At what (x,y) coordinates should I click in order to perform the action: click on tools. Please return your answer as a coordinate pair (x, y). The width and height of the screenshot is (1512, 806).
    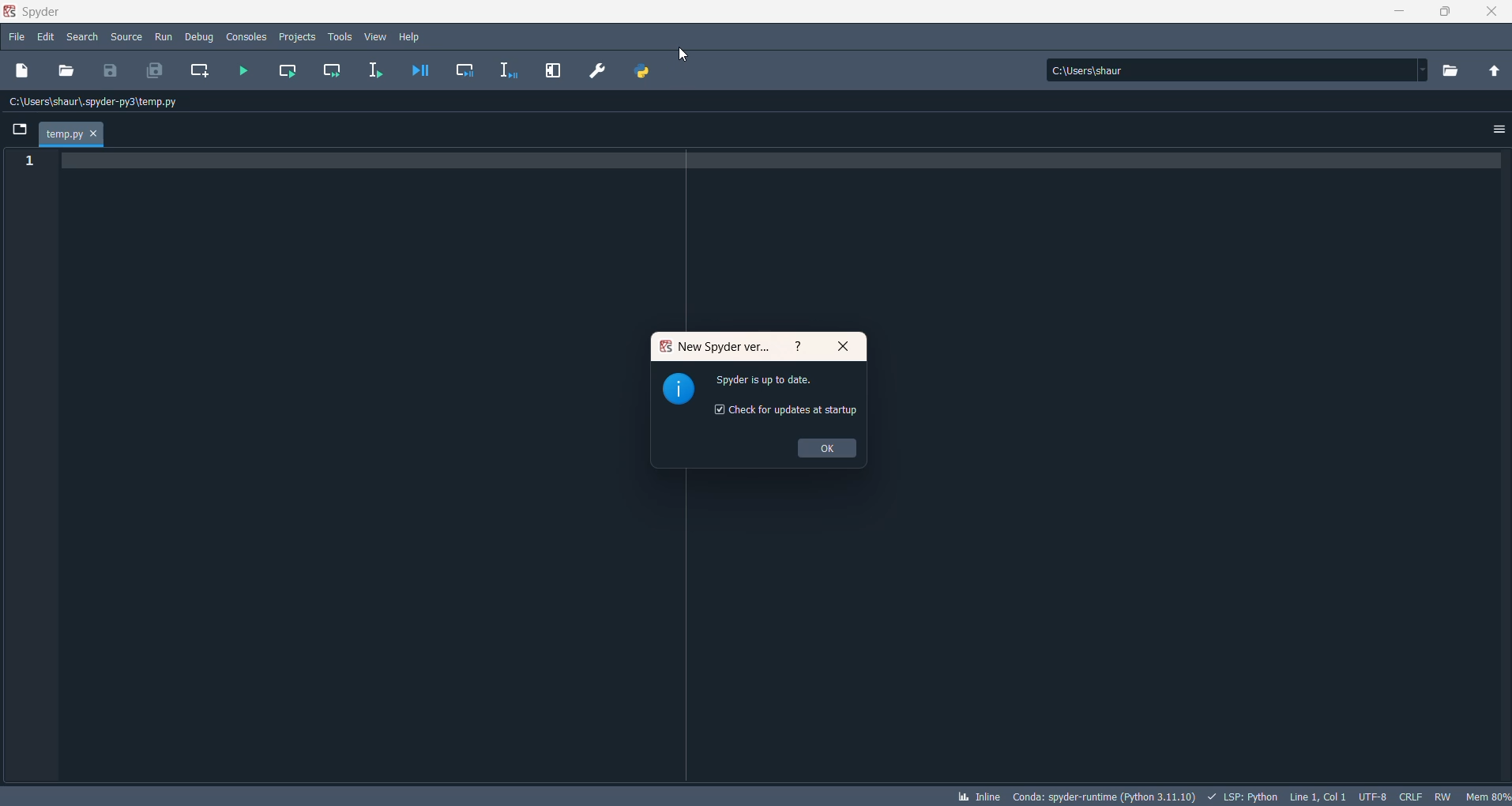
    Looking at the image, I should click on (340, 36).